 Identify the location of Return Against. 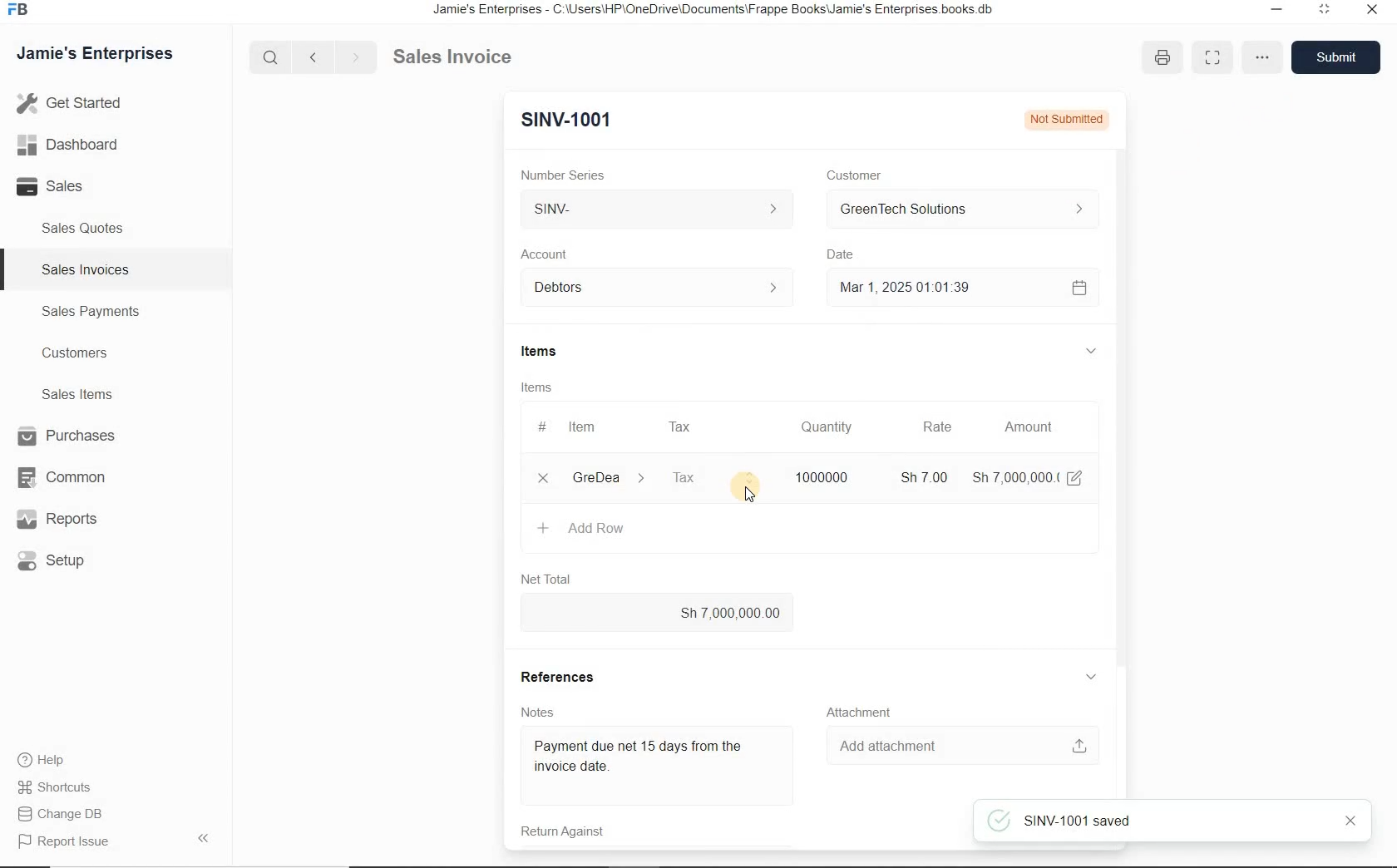
(559, 834).